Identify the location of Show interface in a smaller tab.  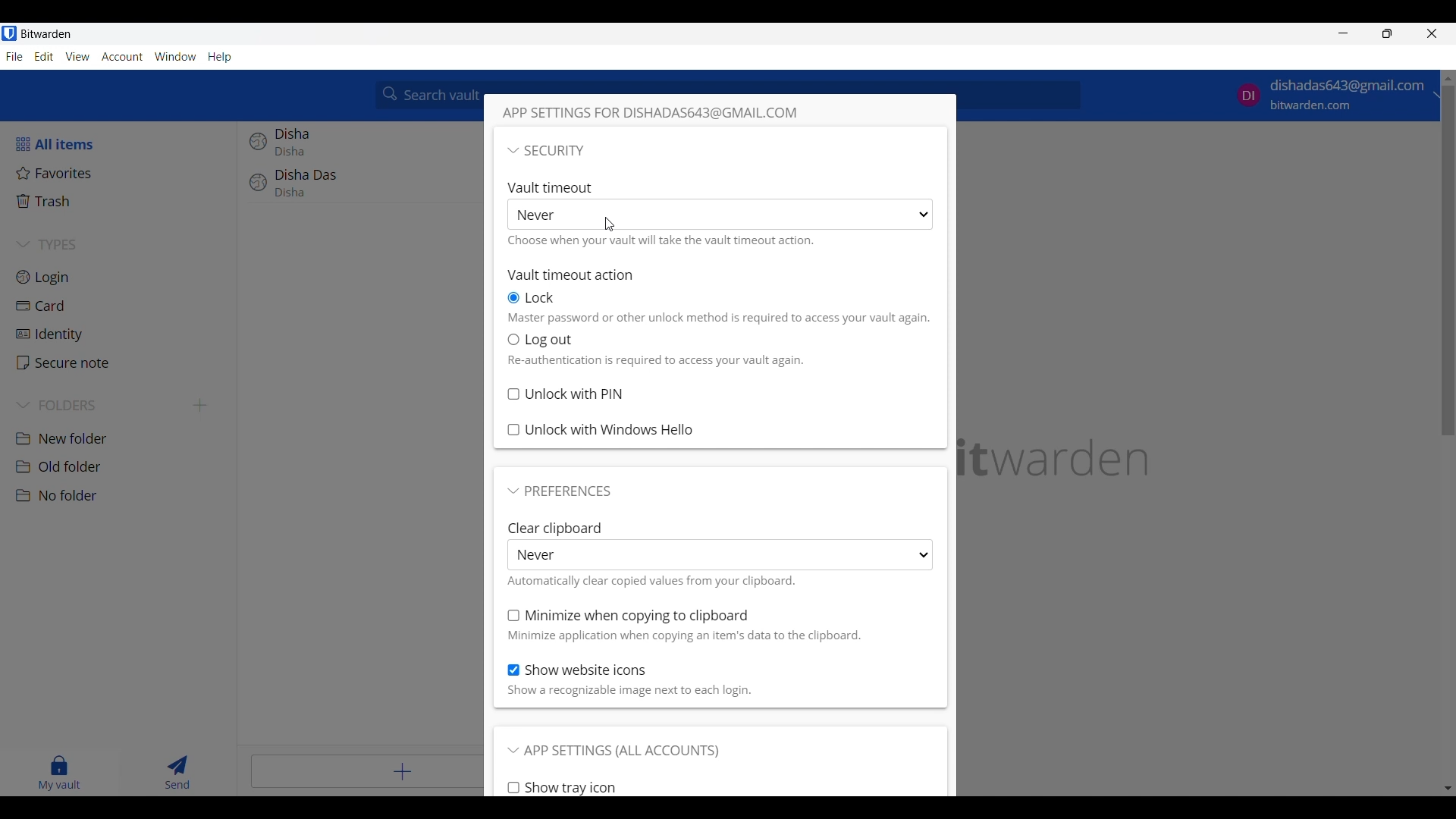
(1387, 33).